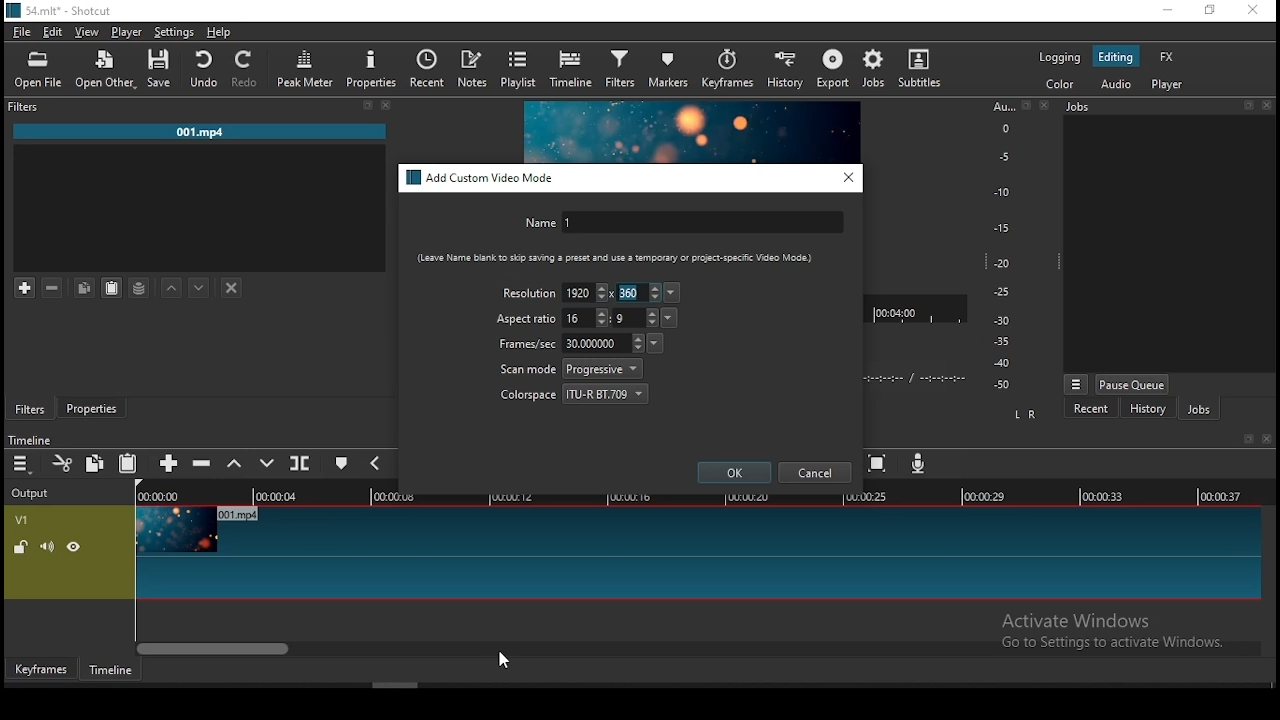  Describe the element at coordinates (863, 497) in the screenshot. I see `00:00:25` at that location.